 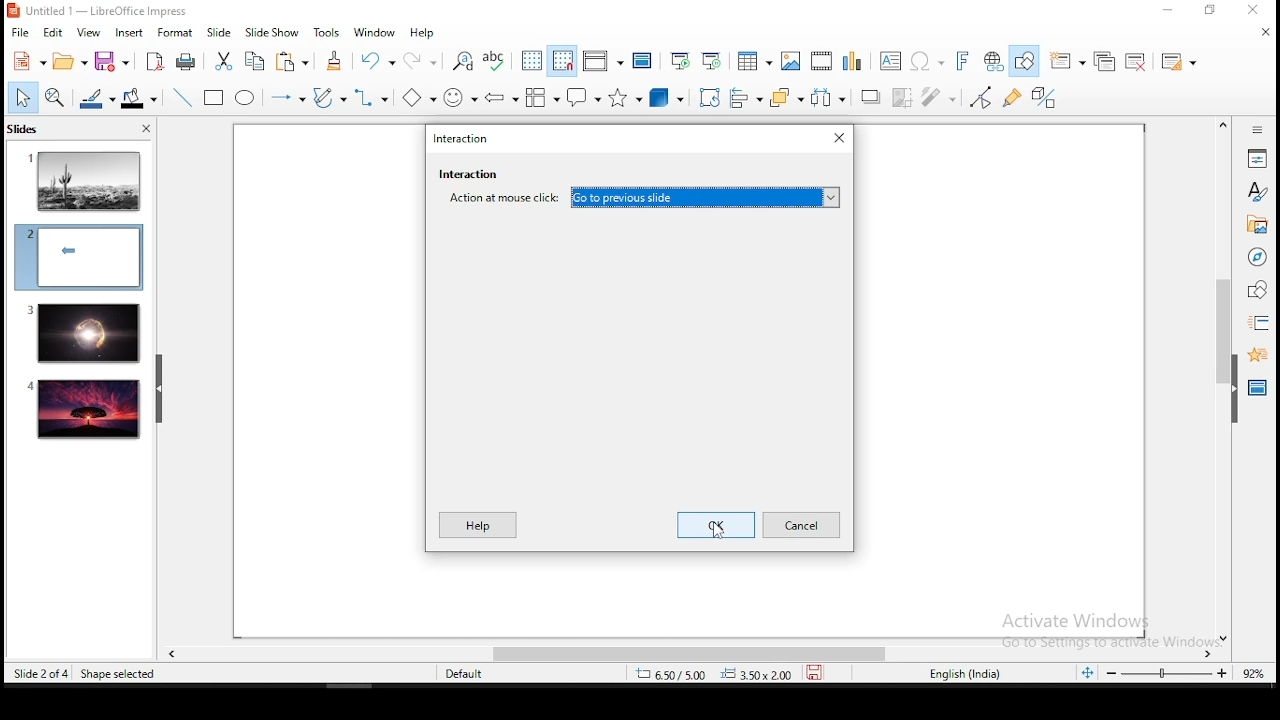 What do you see at coordinates (375, 33) in the screenshot?
I see `window` at bounding box center [375, 33].